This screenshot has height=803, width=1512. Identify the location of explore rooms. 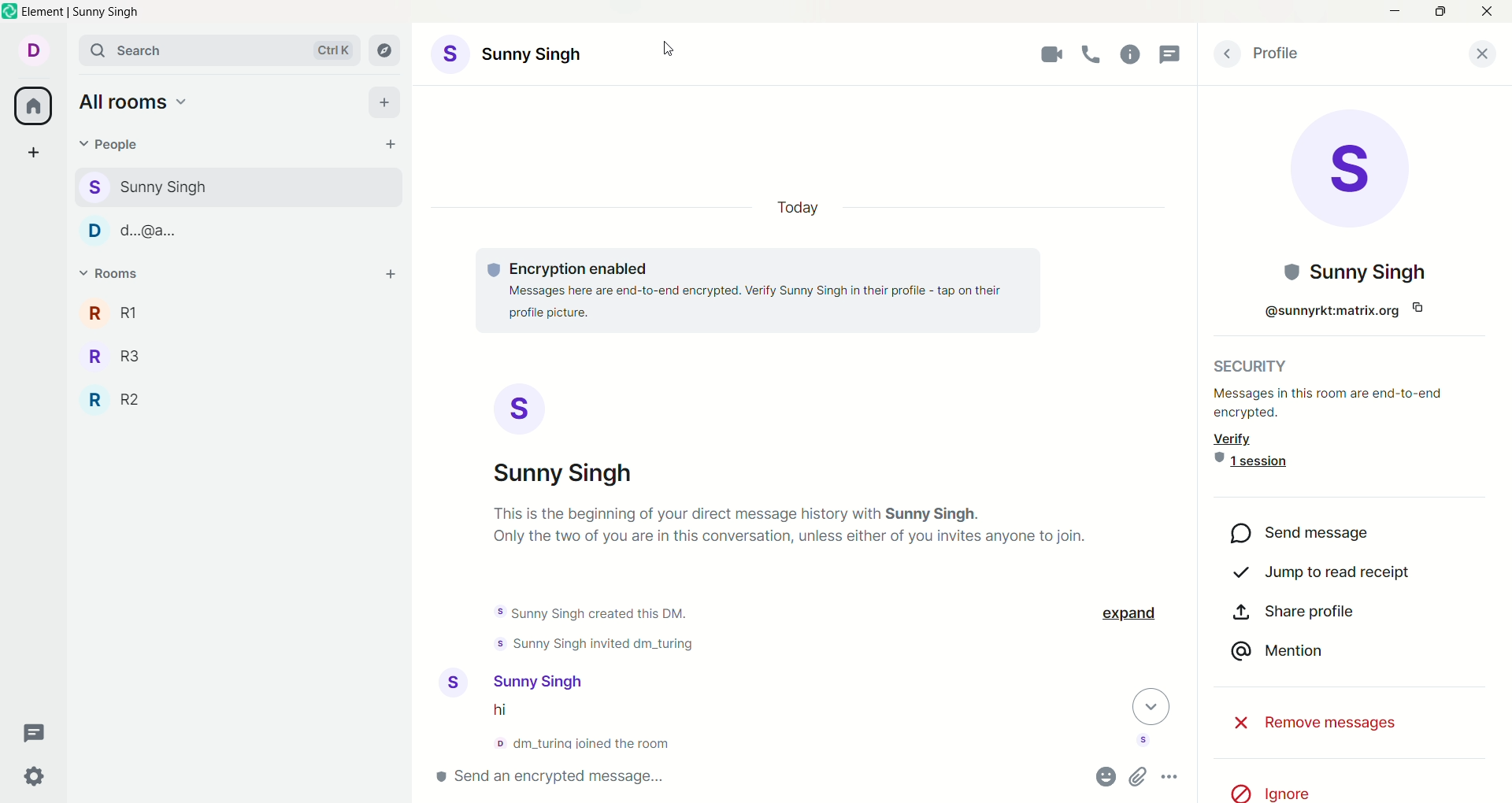
(389, 51).